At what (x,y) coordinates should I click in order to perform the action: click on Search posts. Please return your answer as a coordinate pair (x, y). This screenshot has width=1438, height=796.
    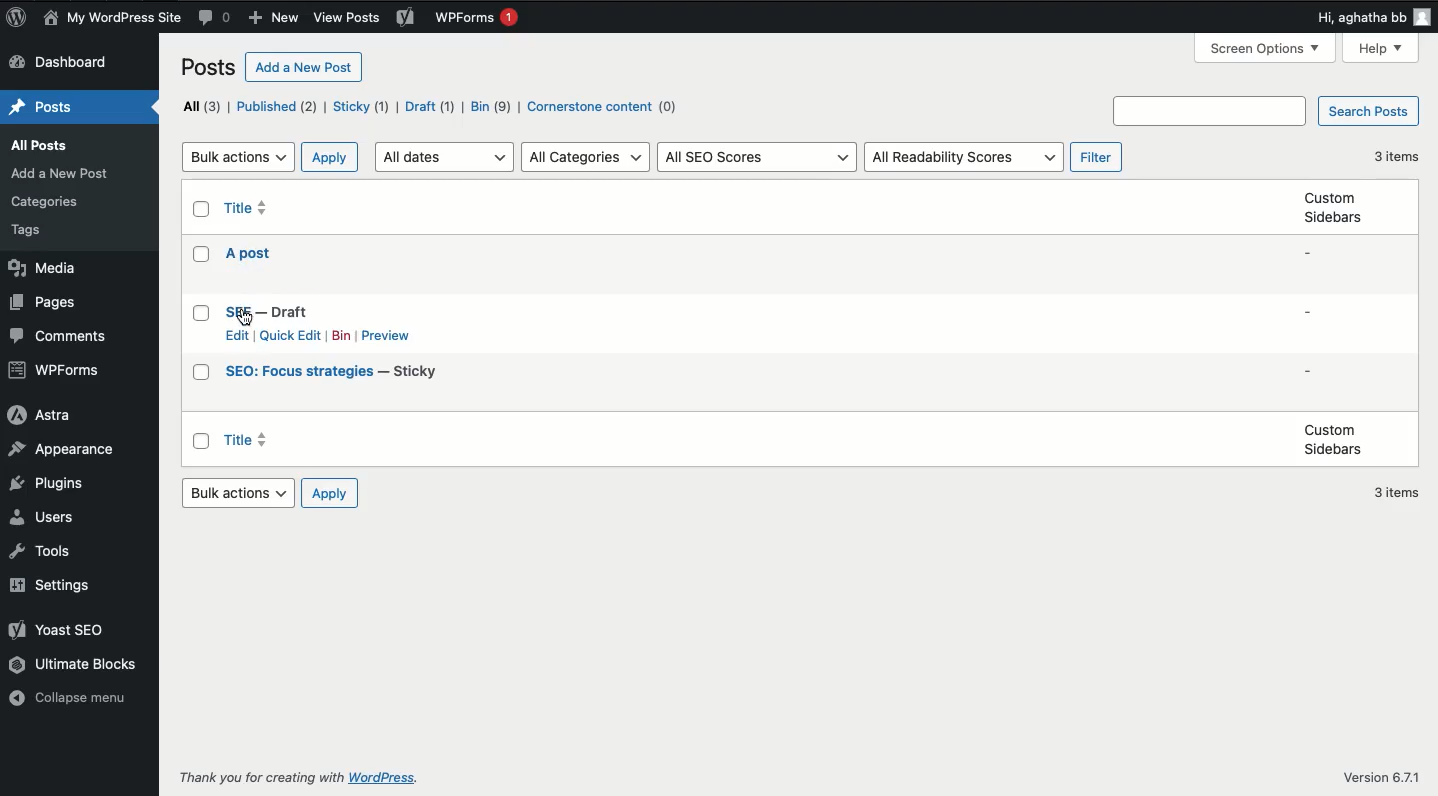
    Looking at the image, I should click on (1369, 111).